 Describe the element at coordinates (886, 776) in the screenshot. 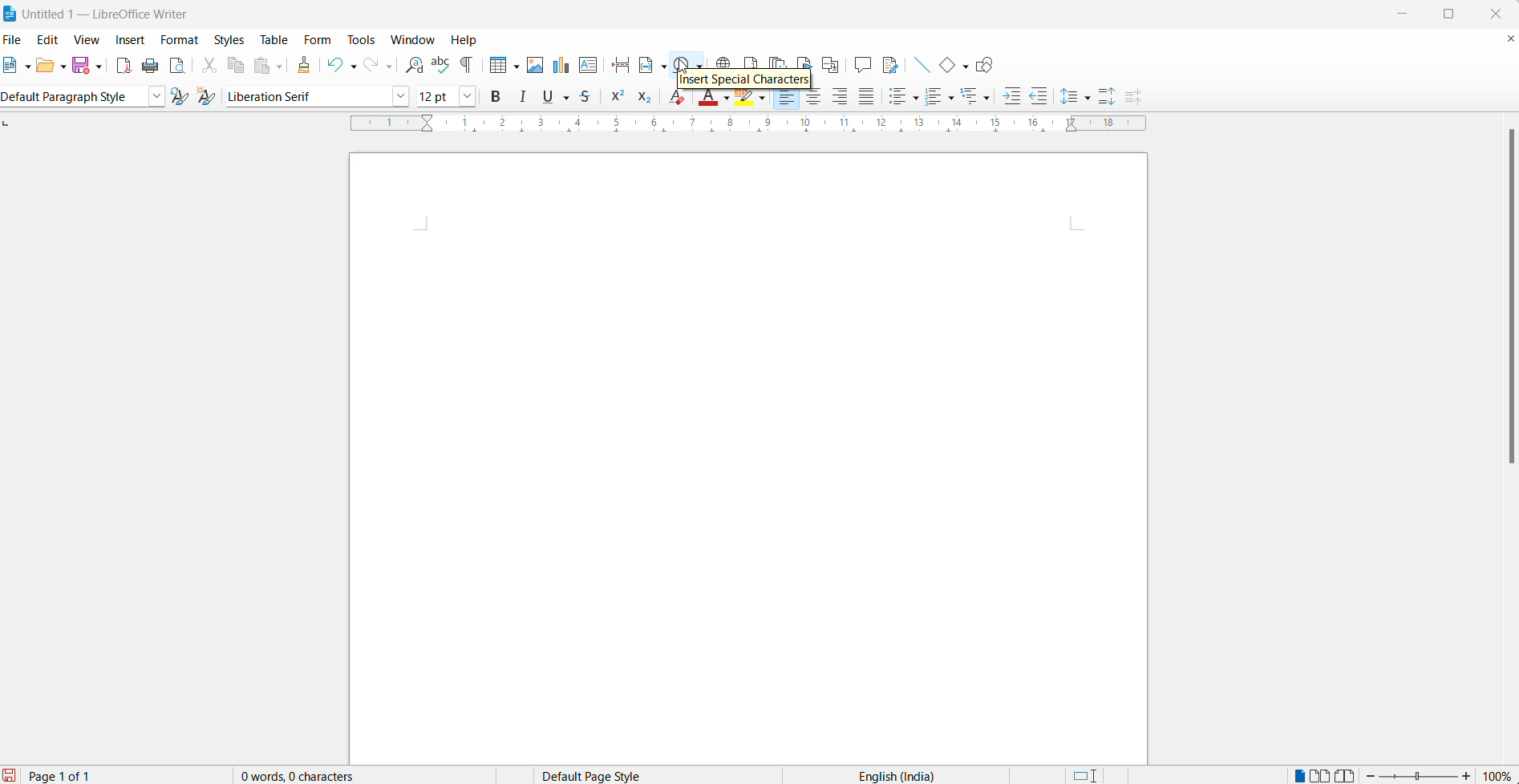

I see `text language` at that location.